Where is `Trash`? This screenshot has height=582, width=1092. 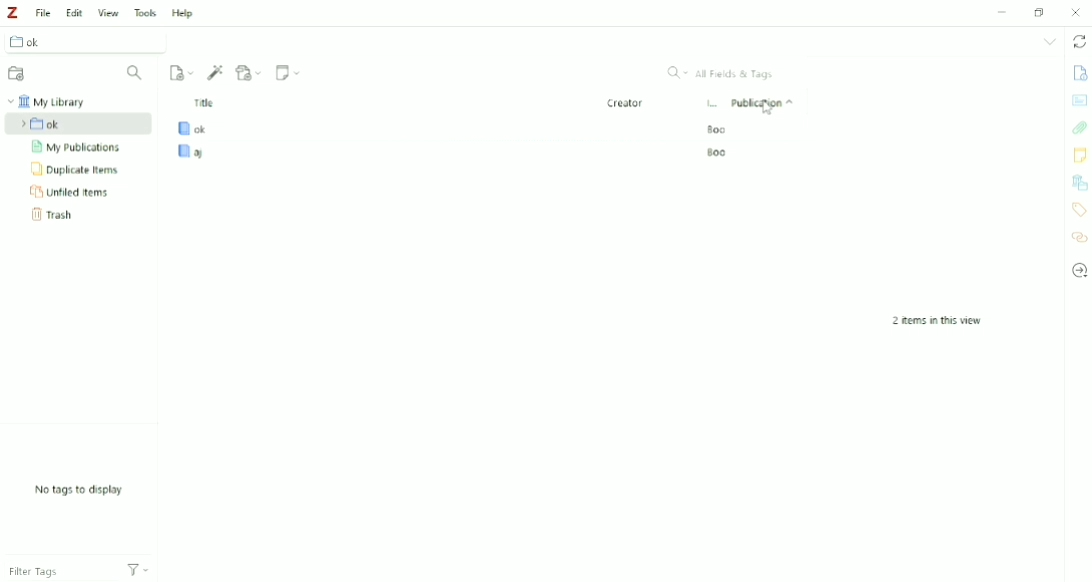 Trash is located at coordinates (57, 215).